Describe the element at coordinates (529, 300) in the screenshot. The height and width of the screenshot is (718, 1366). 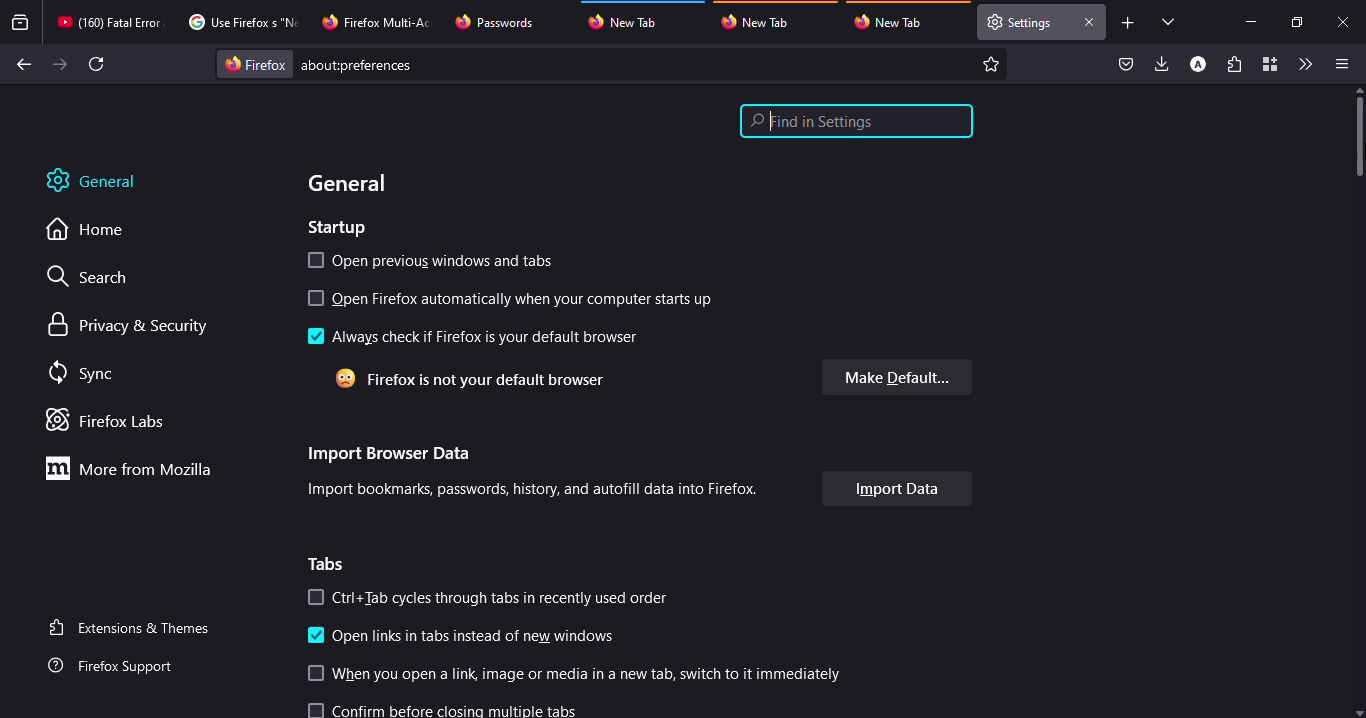
I see `open automatically` at that location.